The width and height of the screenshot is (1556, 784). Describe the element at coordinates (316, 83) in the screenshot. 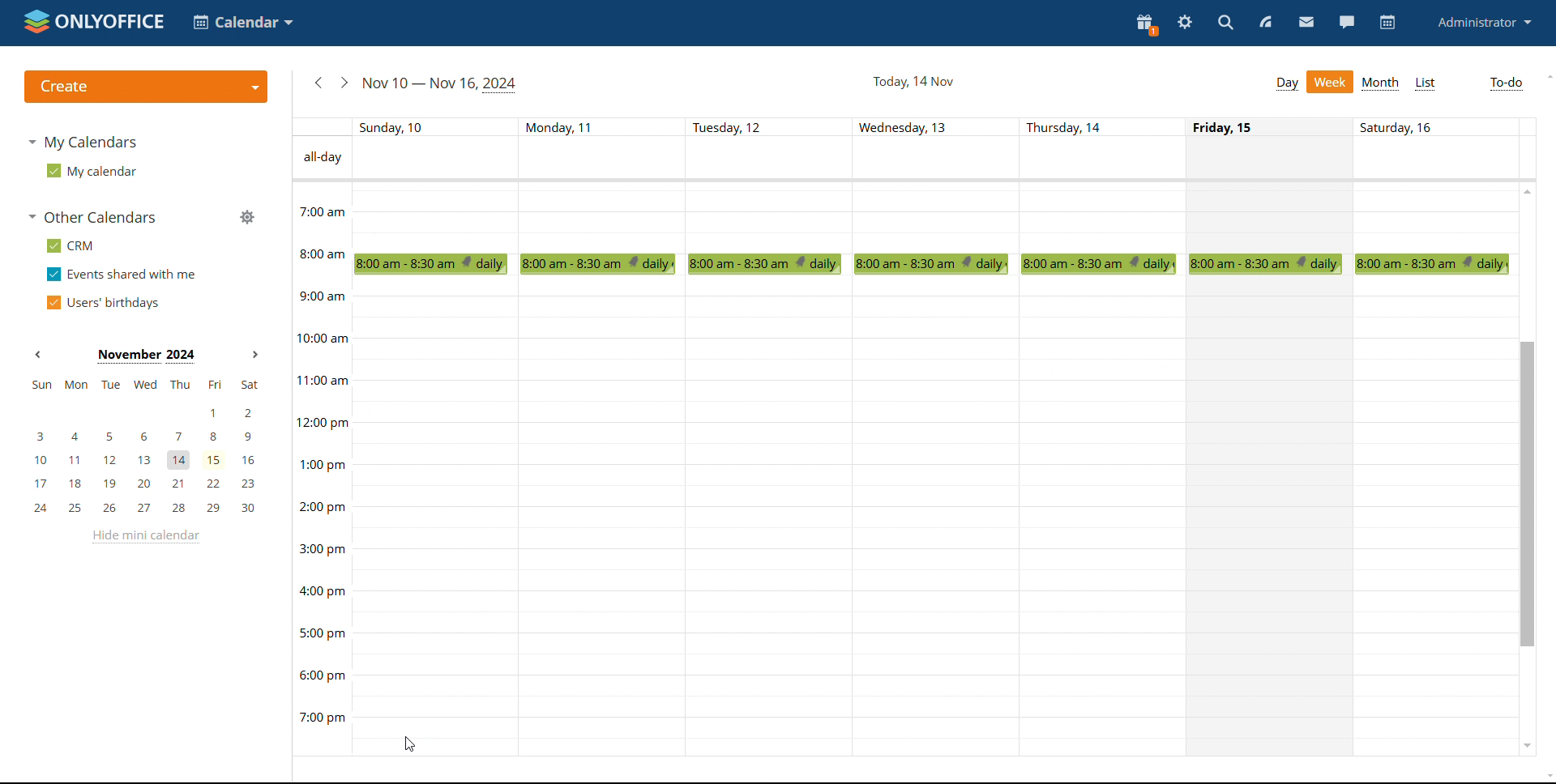

I see `previous week` at that location.